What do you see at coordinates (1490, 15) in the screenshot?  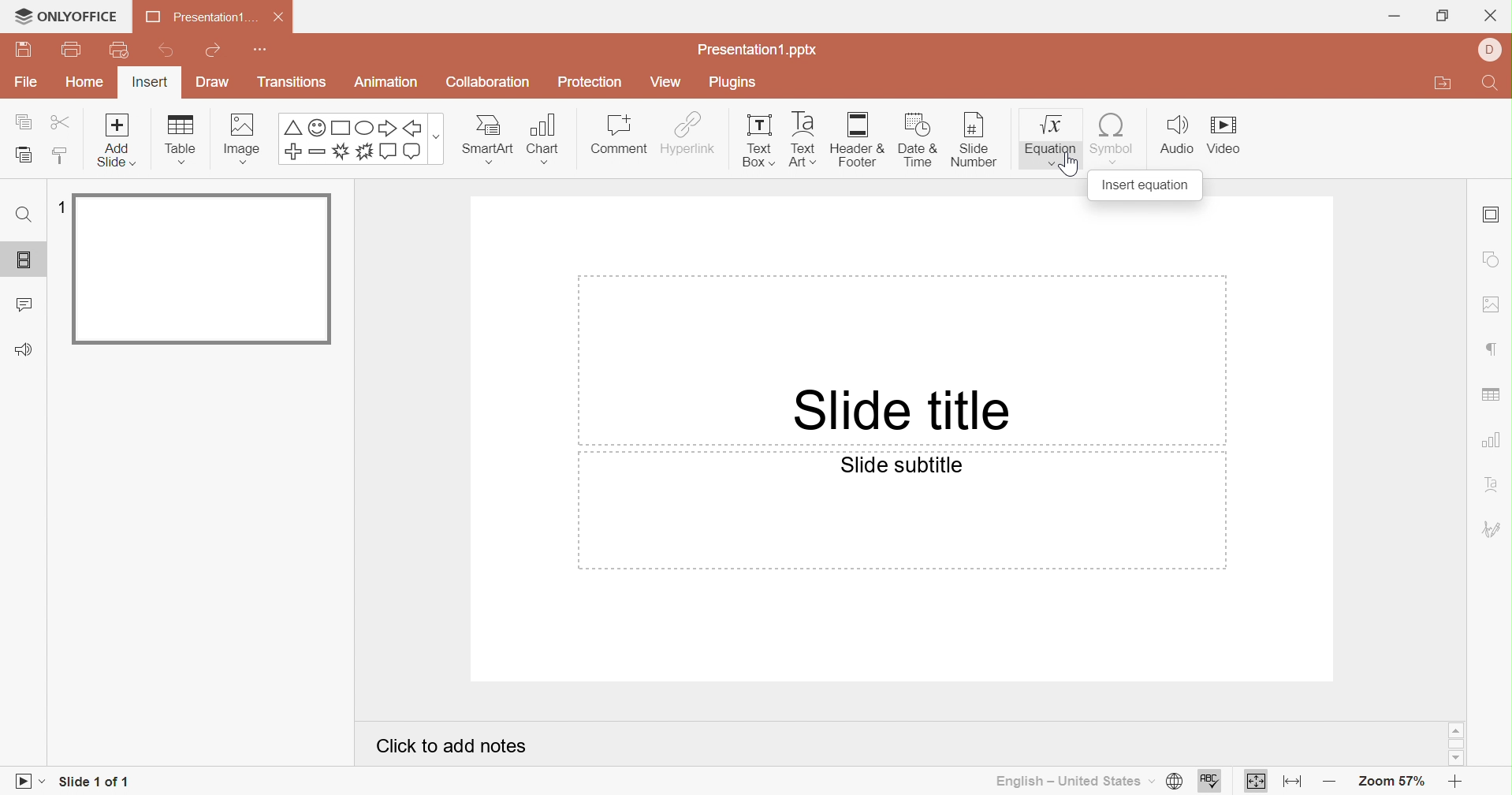 I see `Close` at bounding box center [1490, 15].